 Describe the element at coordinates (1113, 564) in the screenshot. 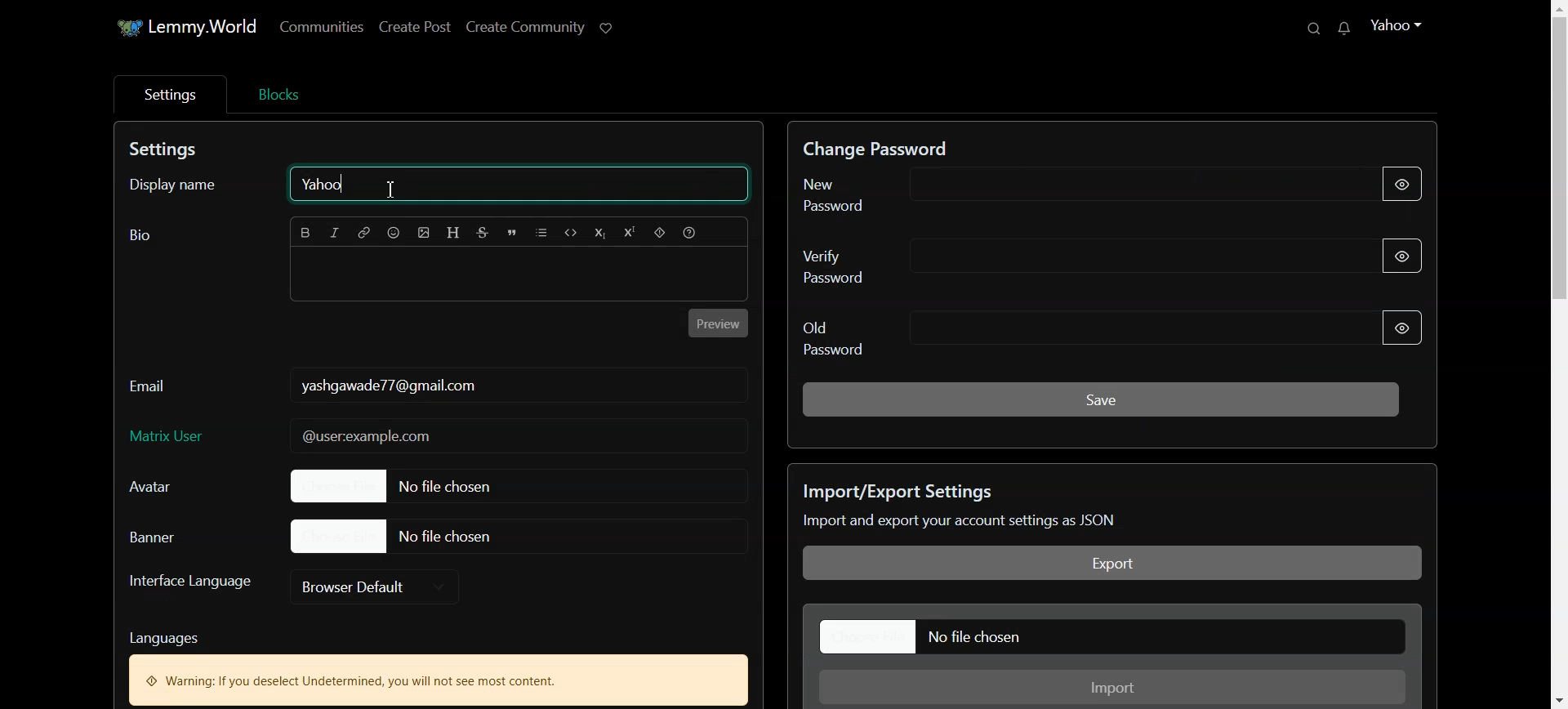

I see `Export` at that location.